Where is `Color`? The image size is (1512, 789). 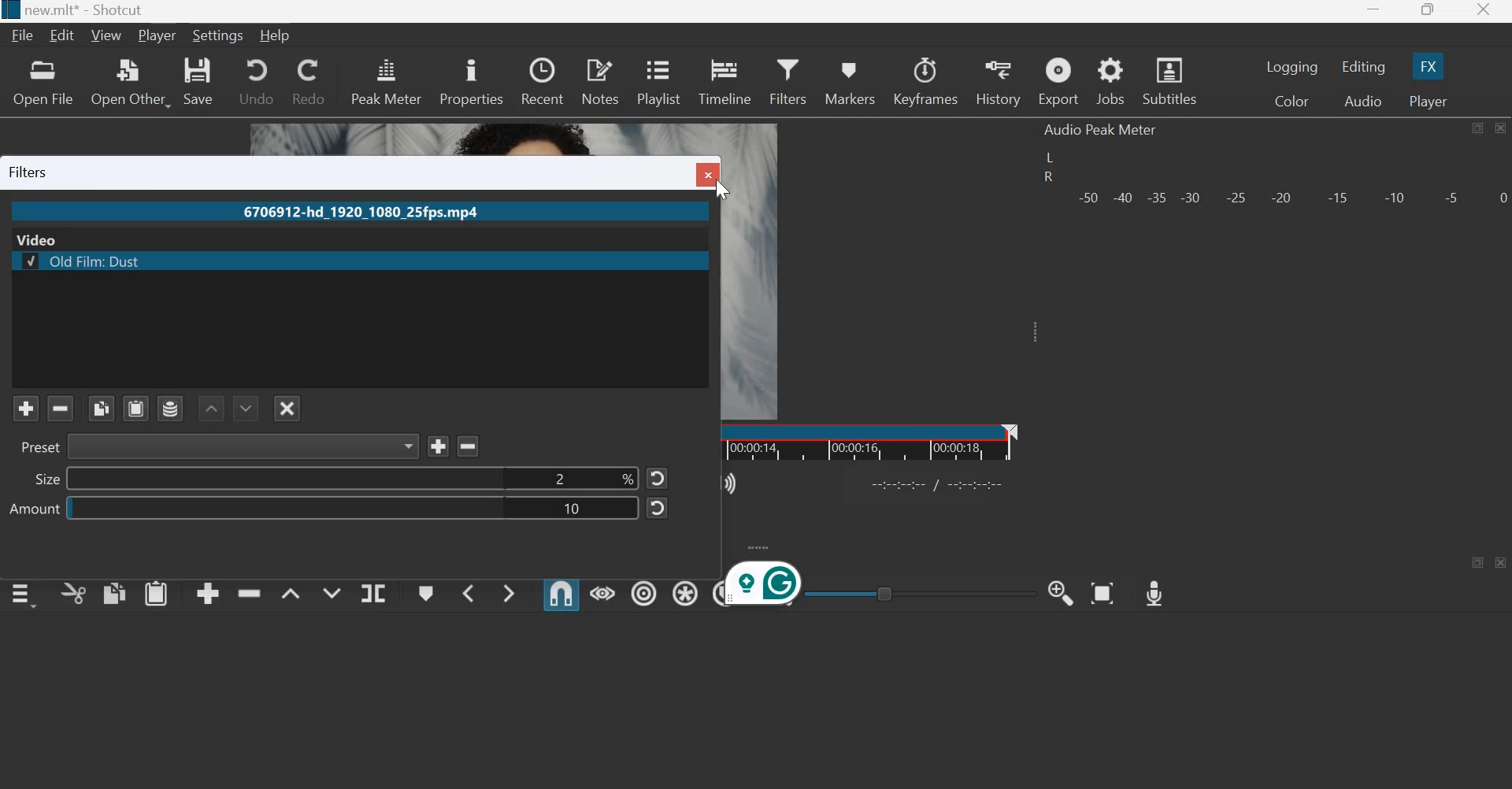
Color is located at coordinates (1295, 102).